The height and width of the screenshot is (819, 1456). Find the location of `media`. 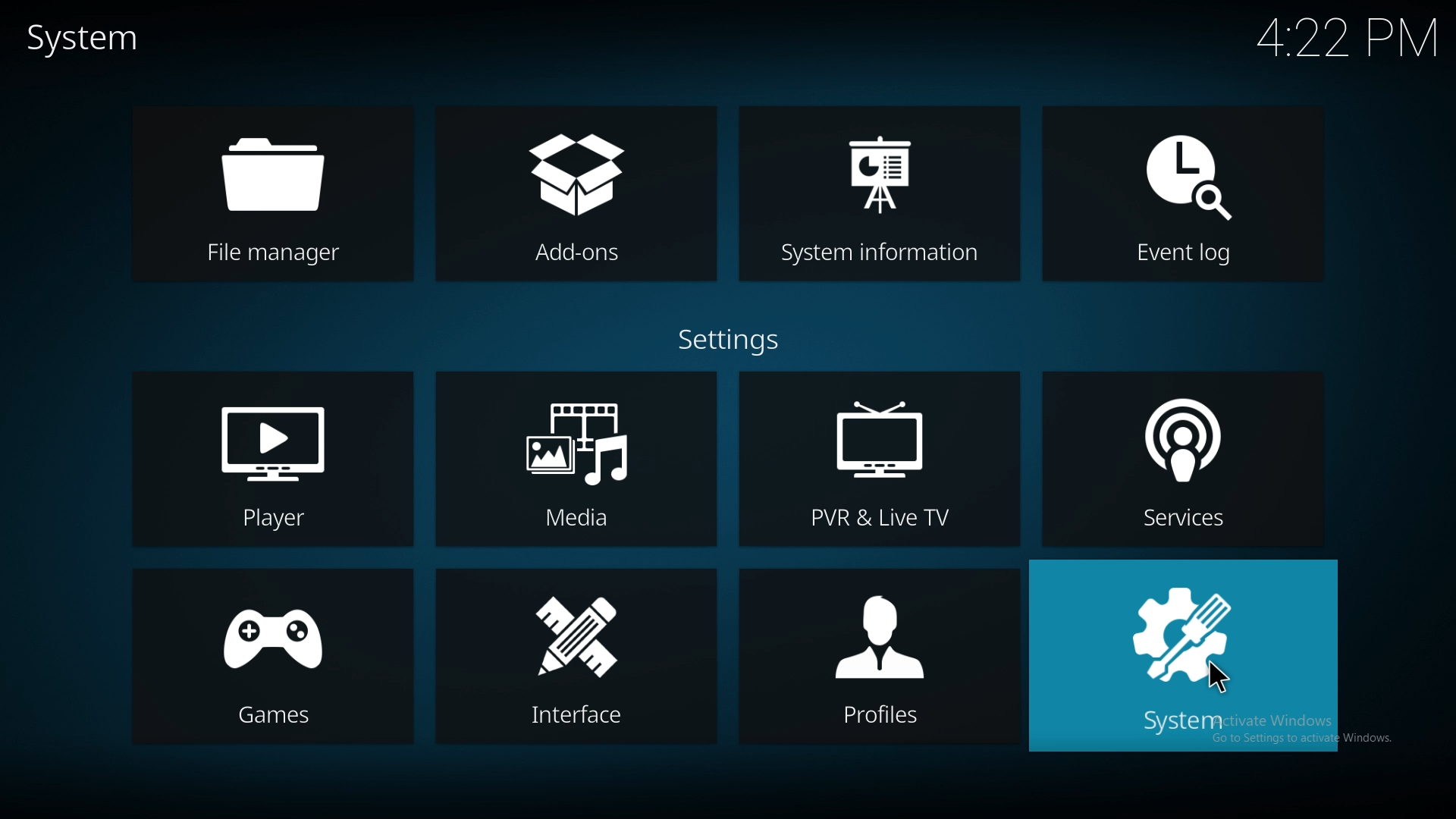

media is located at coordinates (575, 458).